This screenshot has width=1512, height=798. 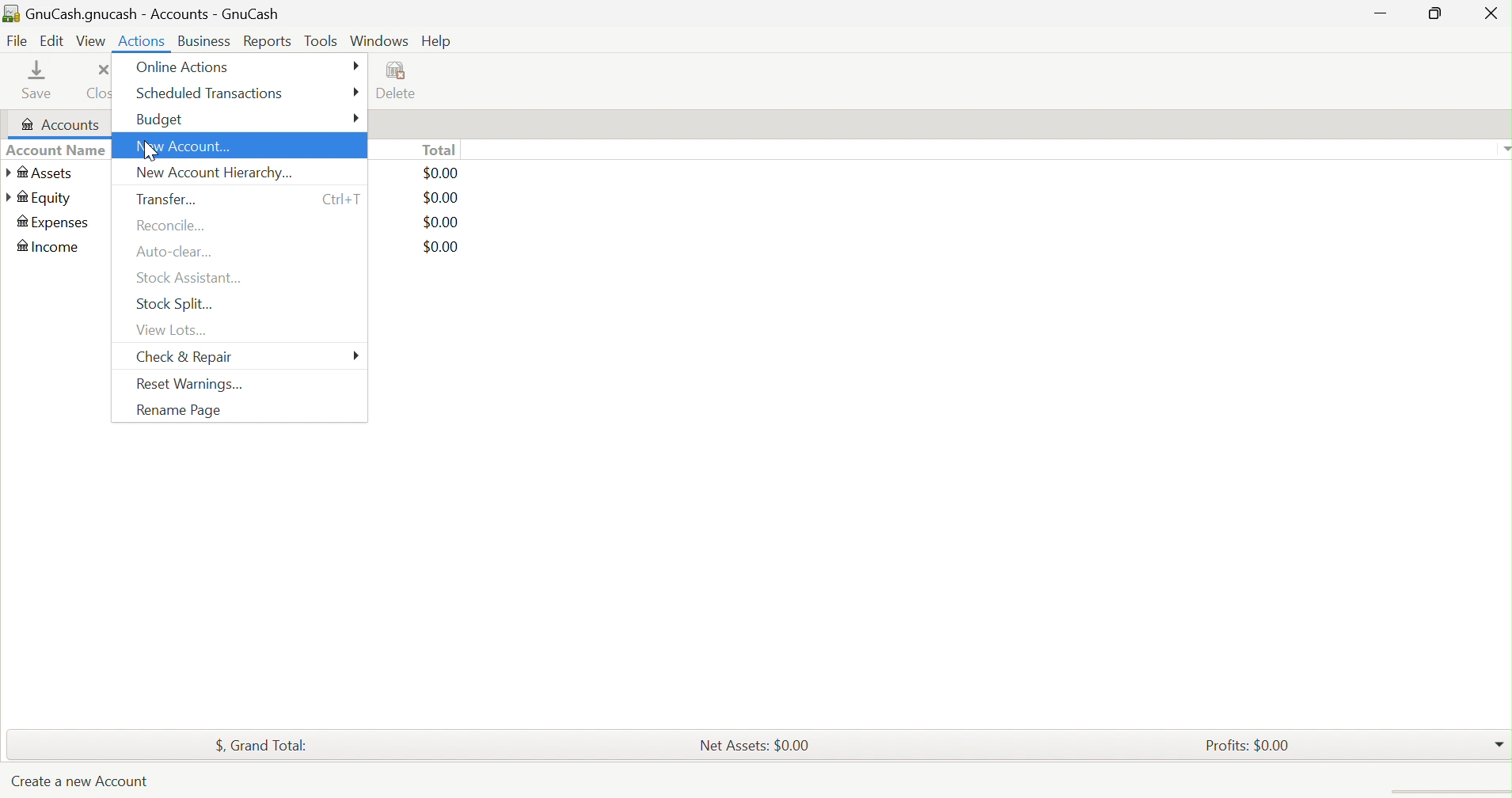 I want to click on Income, so click(x=51, y=246).